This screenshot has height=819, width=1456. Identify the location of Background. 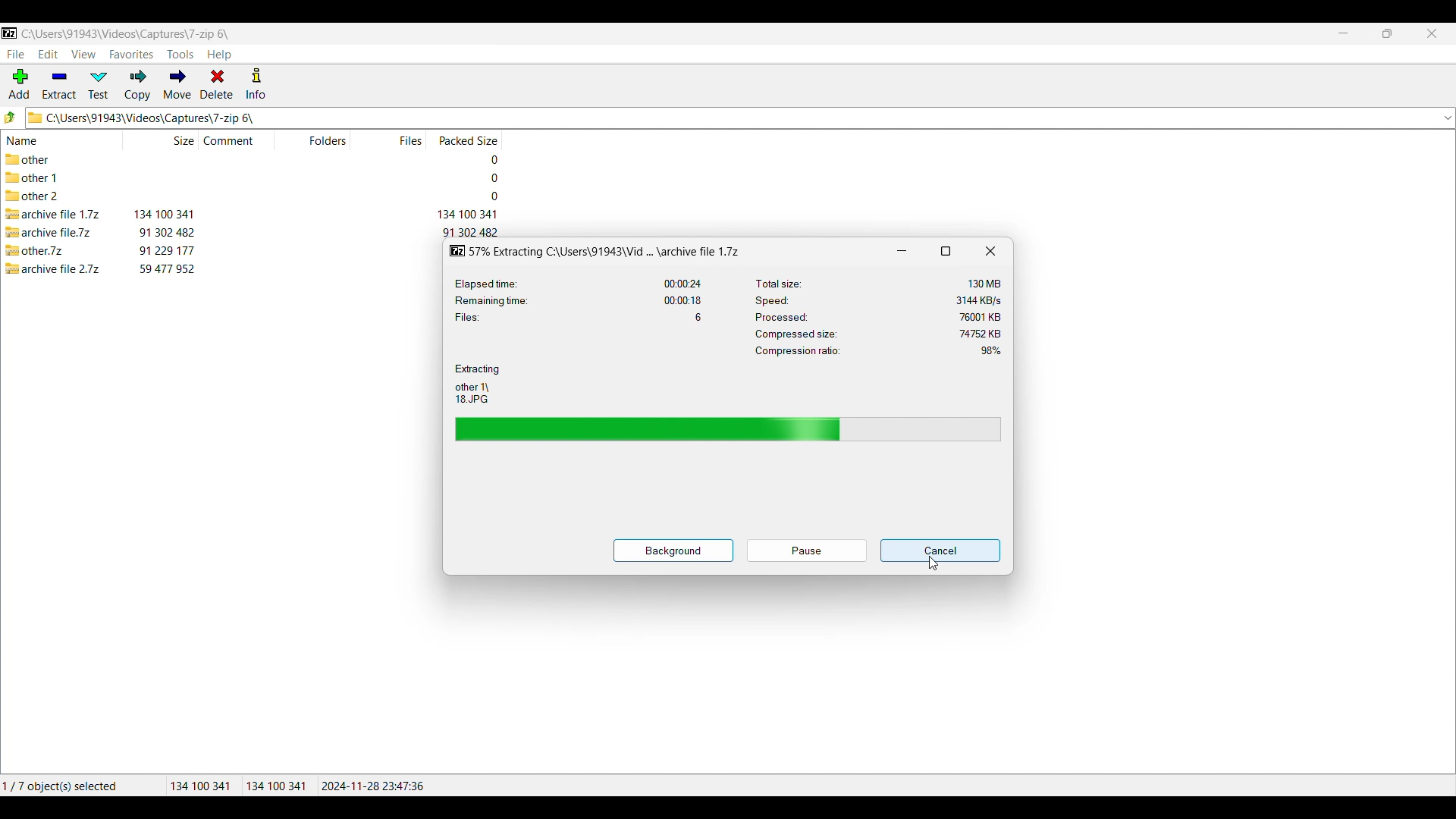
(673, 551).